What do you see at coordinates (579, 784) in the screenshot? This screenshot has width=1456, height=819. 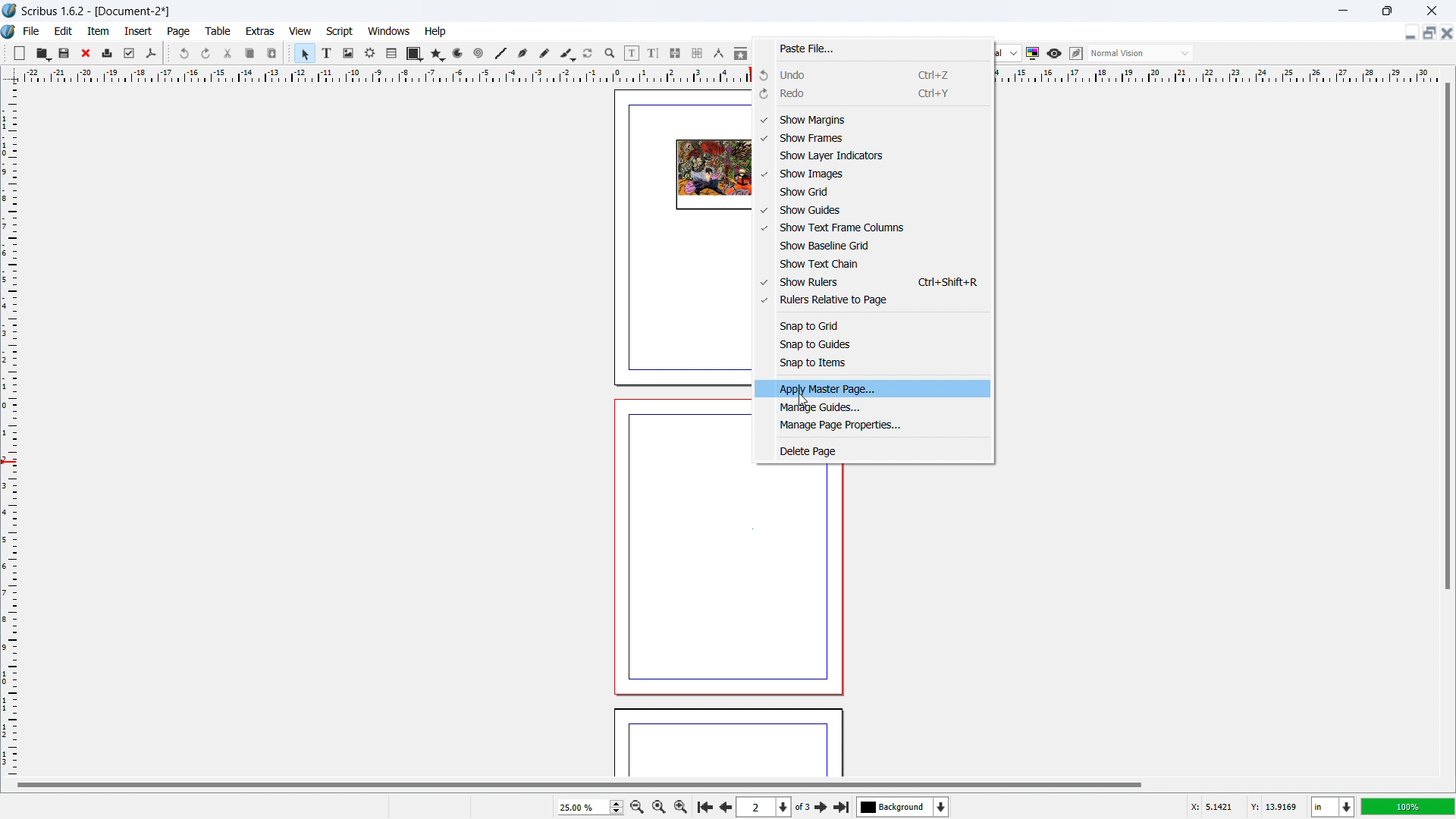 I see `horizontal scrollbar` at bounding box center [579, 784].